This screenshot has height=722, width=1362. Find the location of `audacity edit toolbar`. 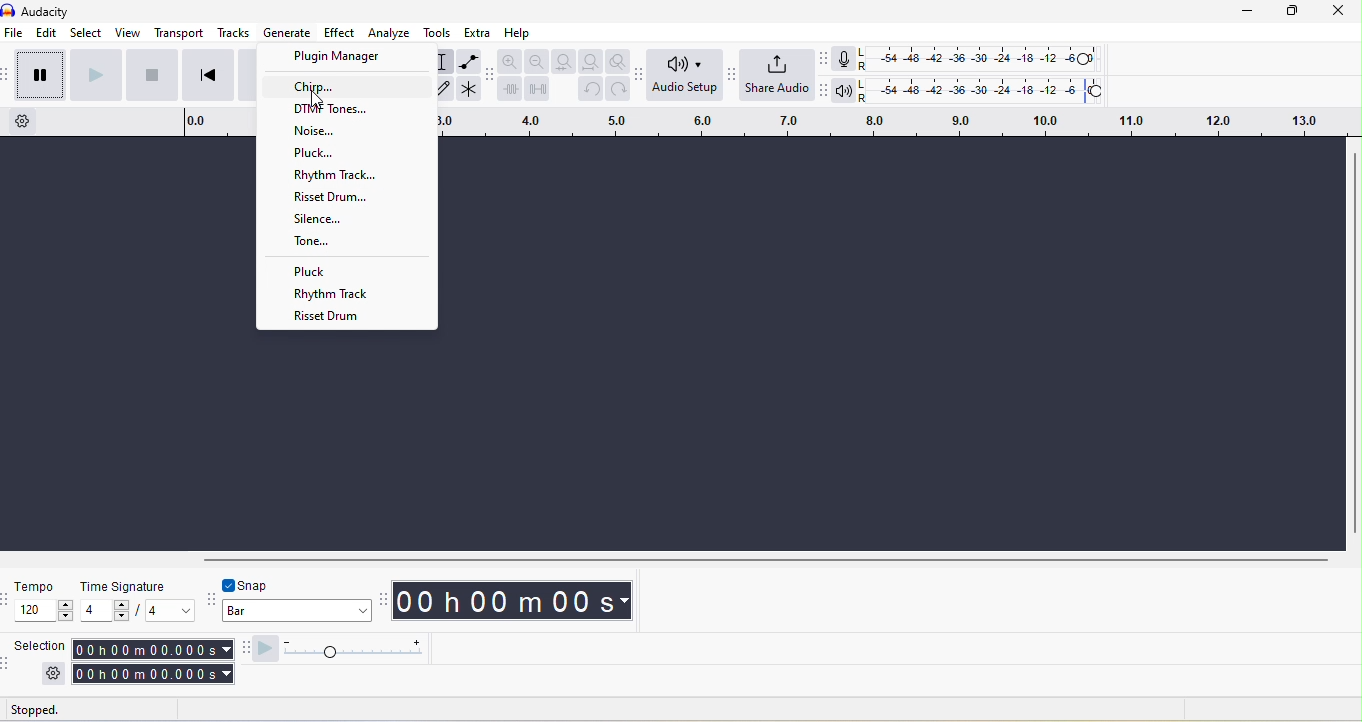

audacity edit toolbar is located at coordinates (491, 74).